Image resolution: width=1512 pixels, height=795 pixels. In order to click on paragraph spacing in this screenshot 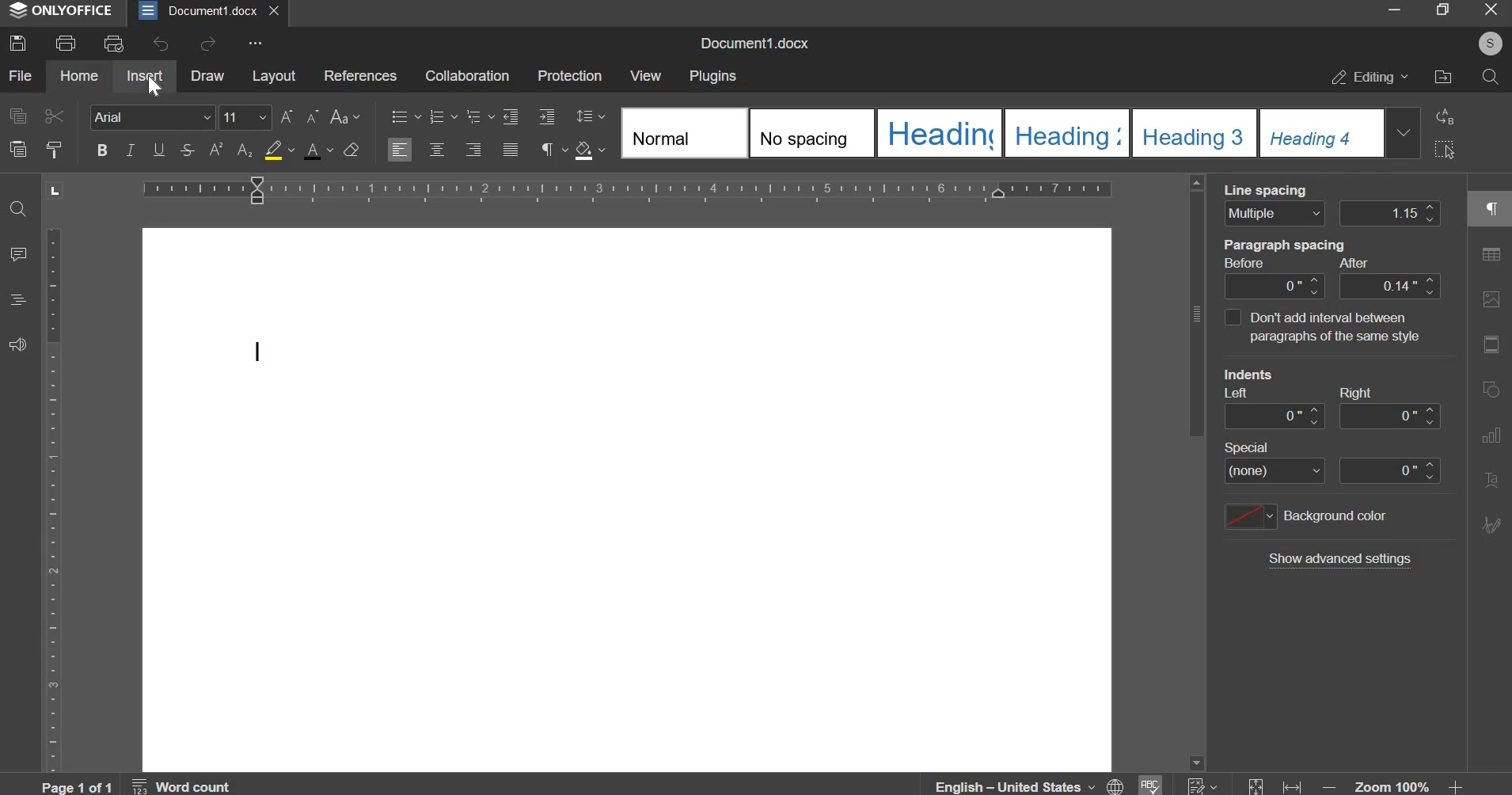, I will do `click(1285, 244)`.